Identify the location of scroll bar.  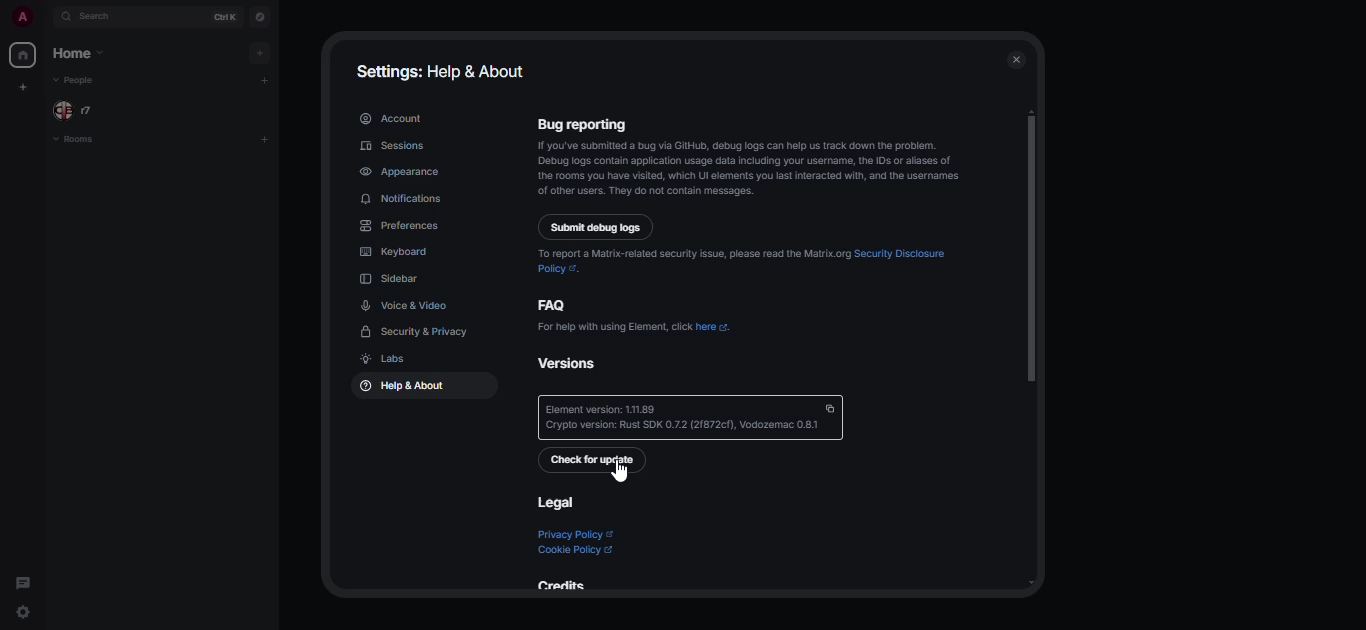
(1031, 247).